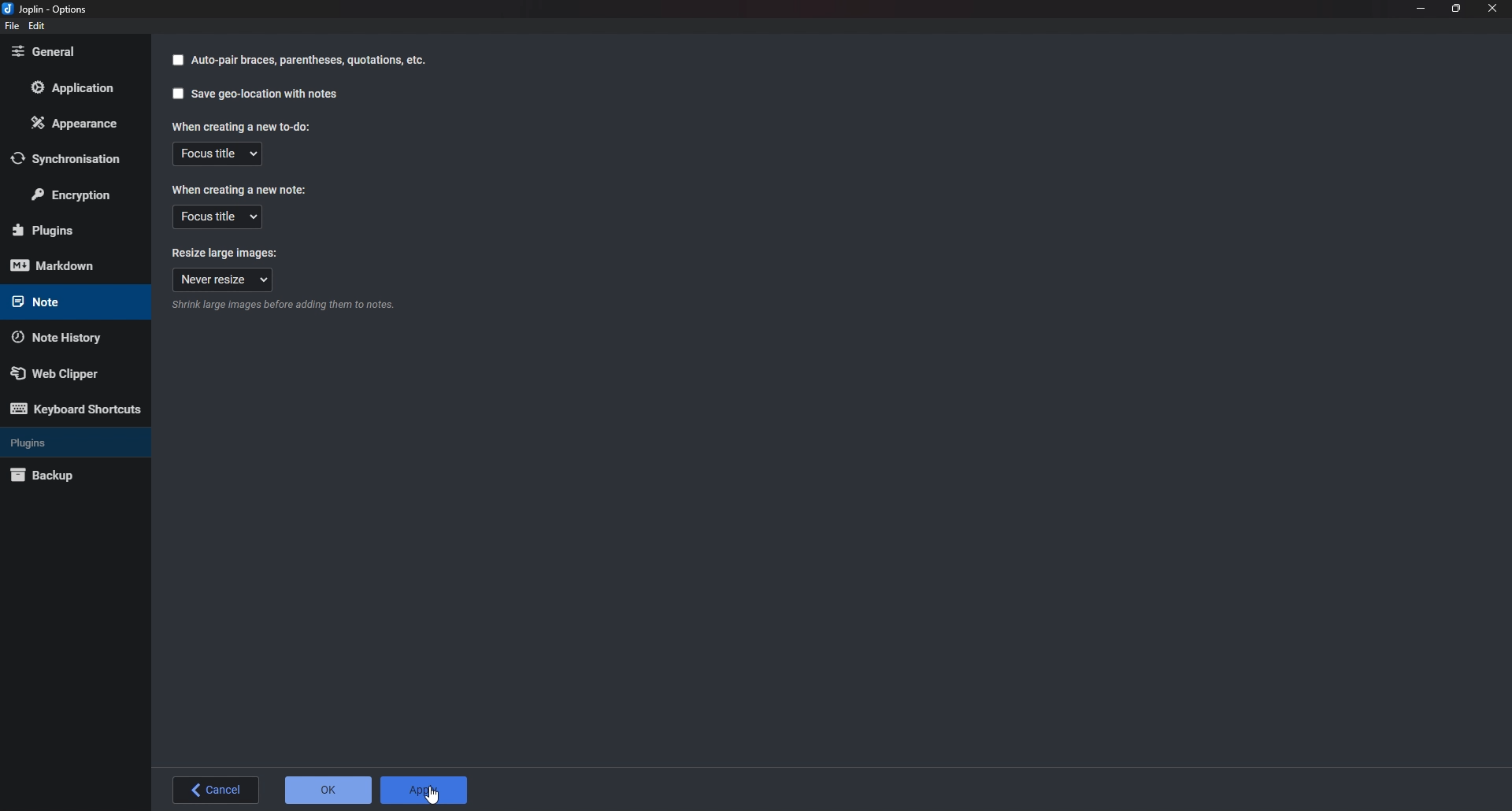 The height and width of the screenshot is (811, 1512). Describe the element at coordinates (1492, 8) in the screenshot. I see `close` at that location.